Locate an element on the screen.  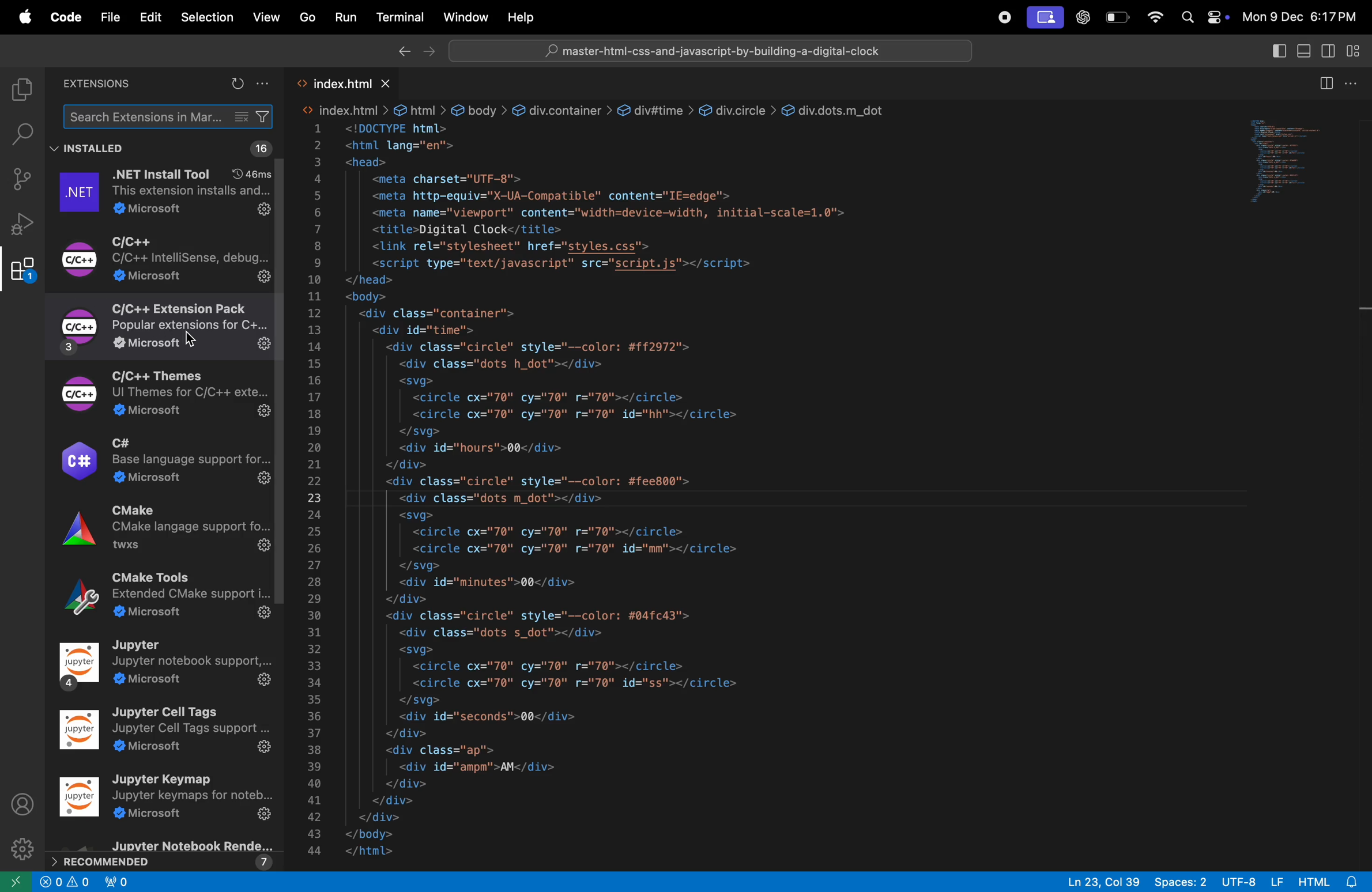
customize layout is located at coordinates (1358, 50).